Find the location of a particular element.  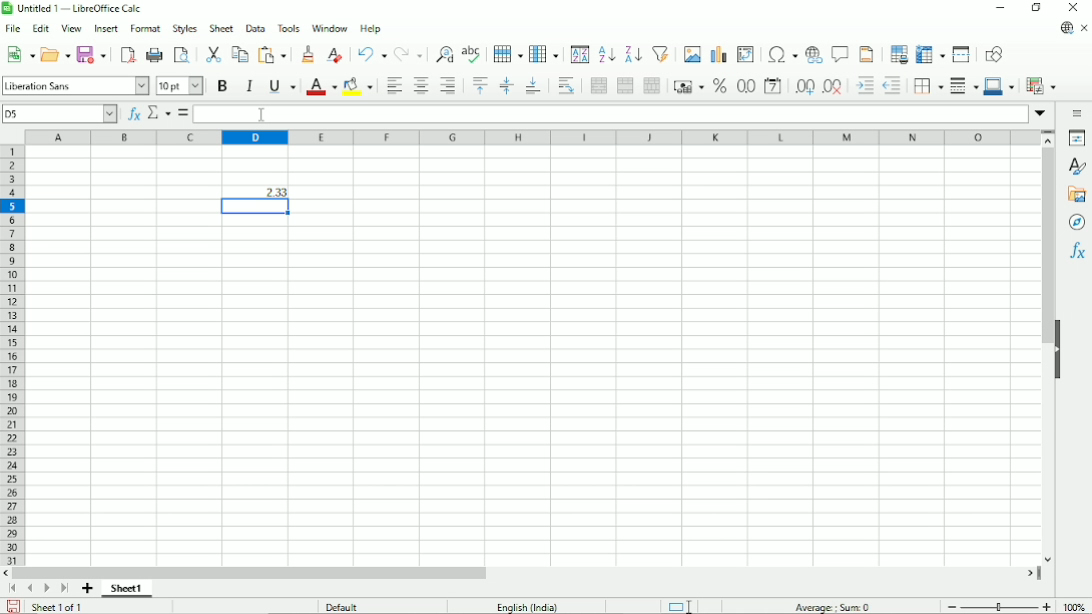

Freeze rows and columns is located at coordinates (932, 54).